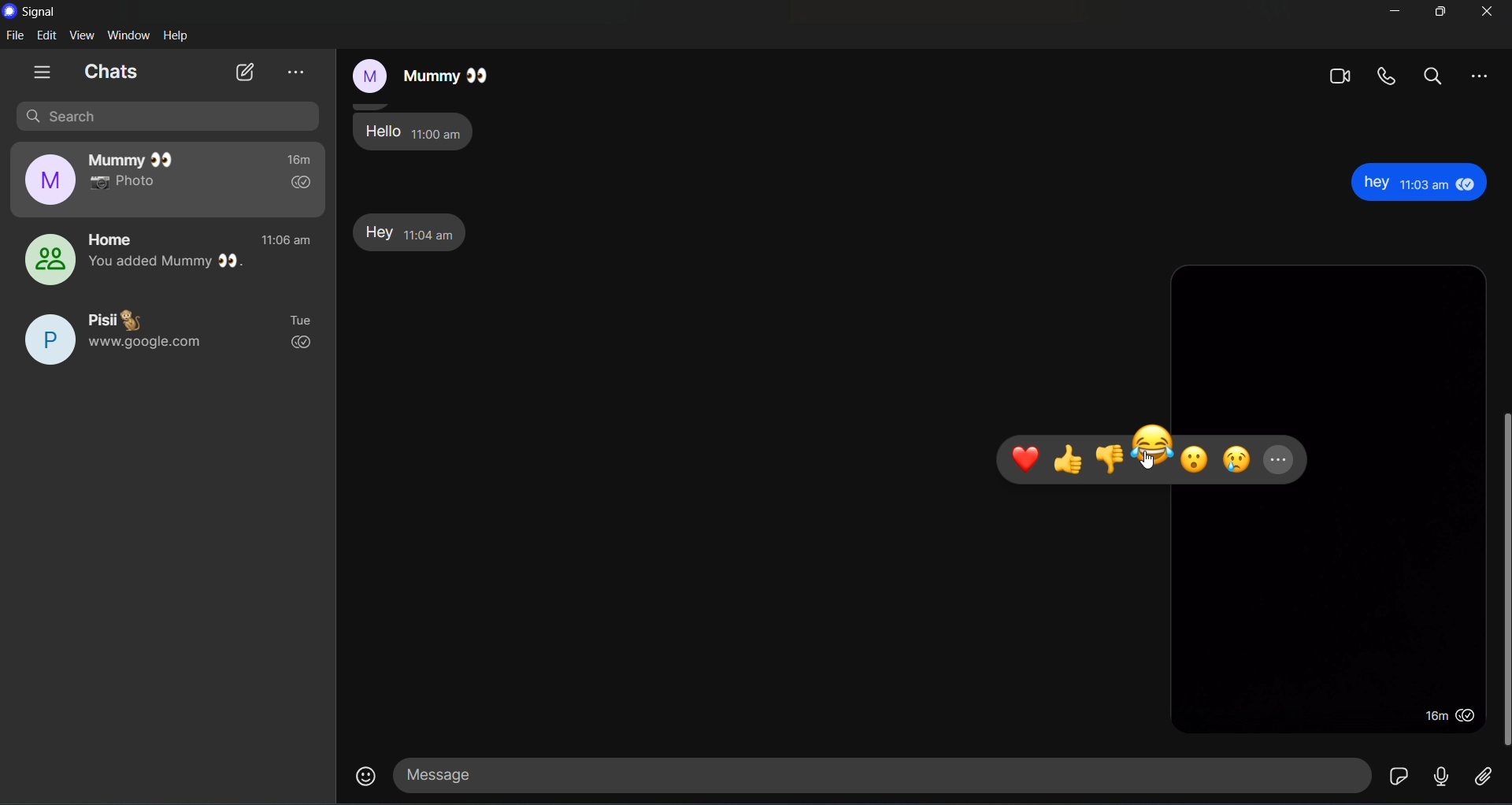  Describe the element at coordinates (47, 35) in the screenshot. I see `edit` at that location.